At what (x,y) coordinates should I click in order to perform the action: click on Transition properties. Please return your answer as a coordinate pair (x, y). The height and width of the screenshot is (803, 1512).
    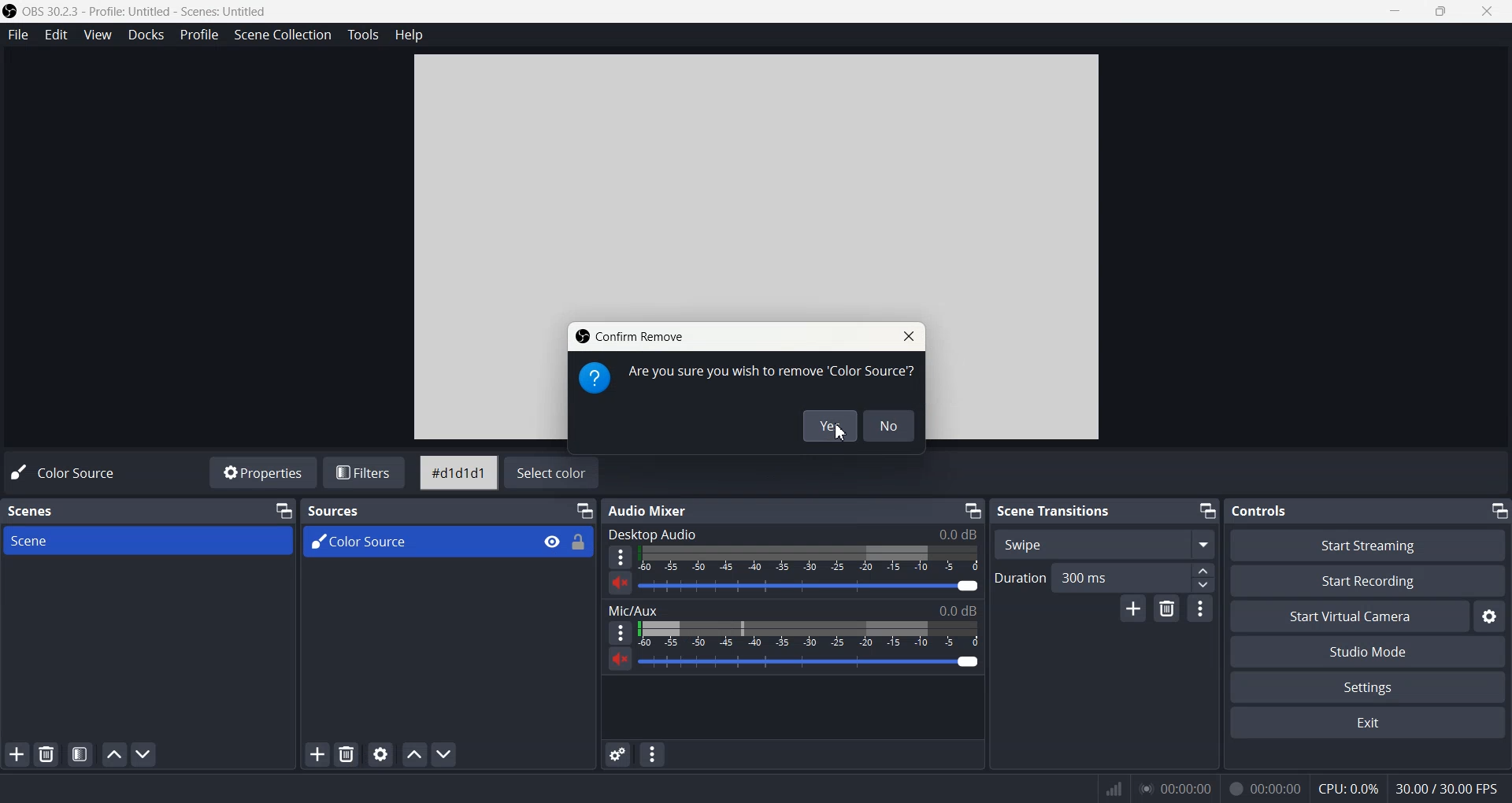
    Looking at the image, I should click on (1202, 608).